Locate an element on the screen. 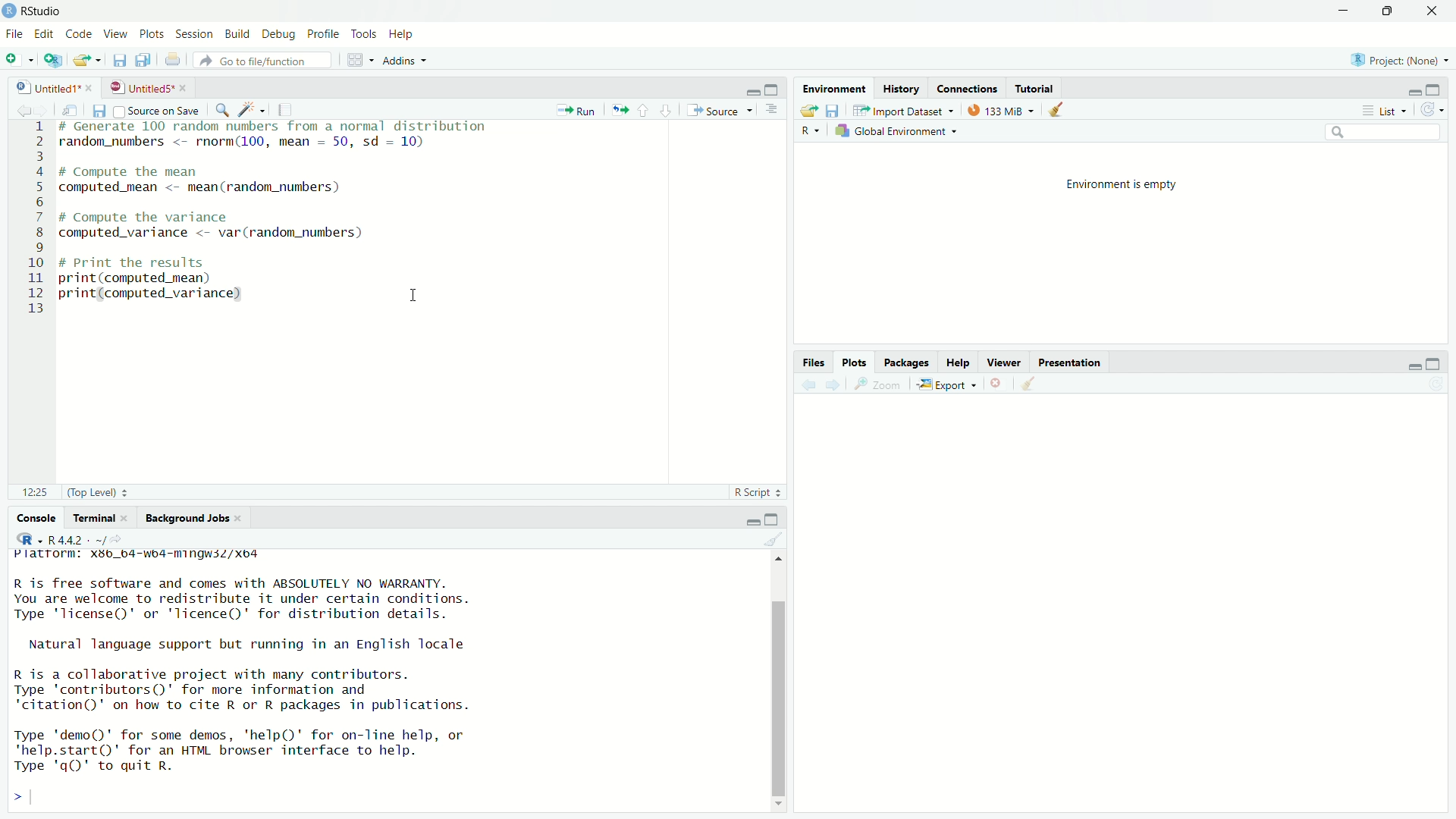 This screenshot has width=1456, height=819. print(computed_mean)
print(computed_variance) is located at coordinates (168, 290).